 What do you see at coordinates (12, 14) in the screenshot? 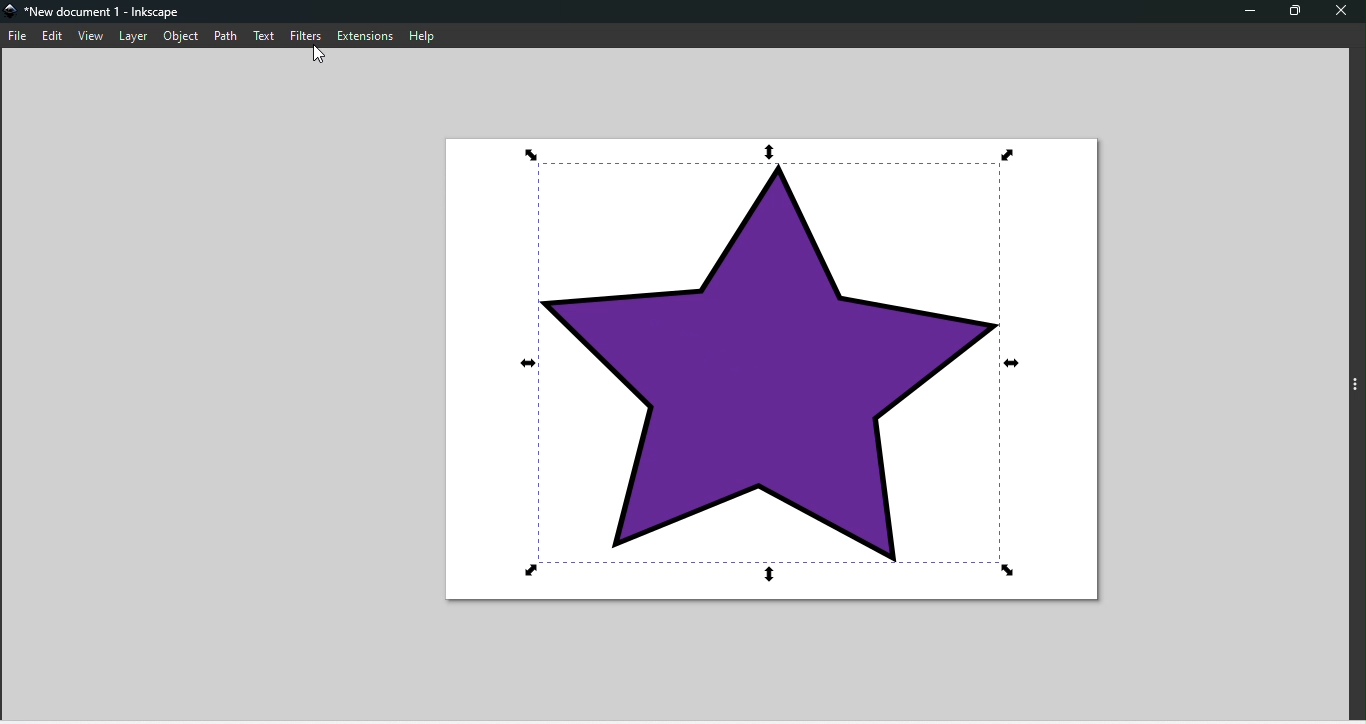
I see `logo` at bounding box center [12, 14].